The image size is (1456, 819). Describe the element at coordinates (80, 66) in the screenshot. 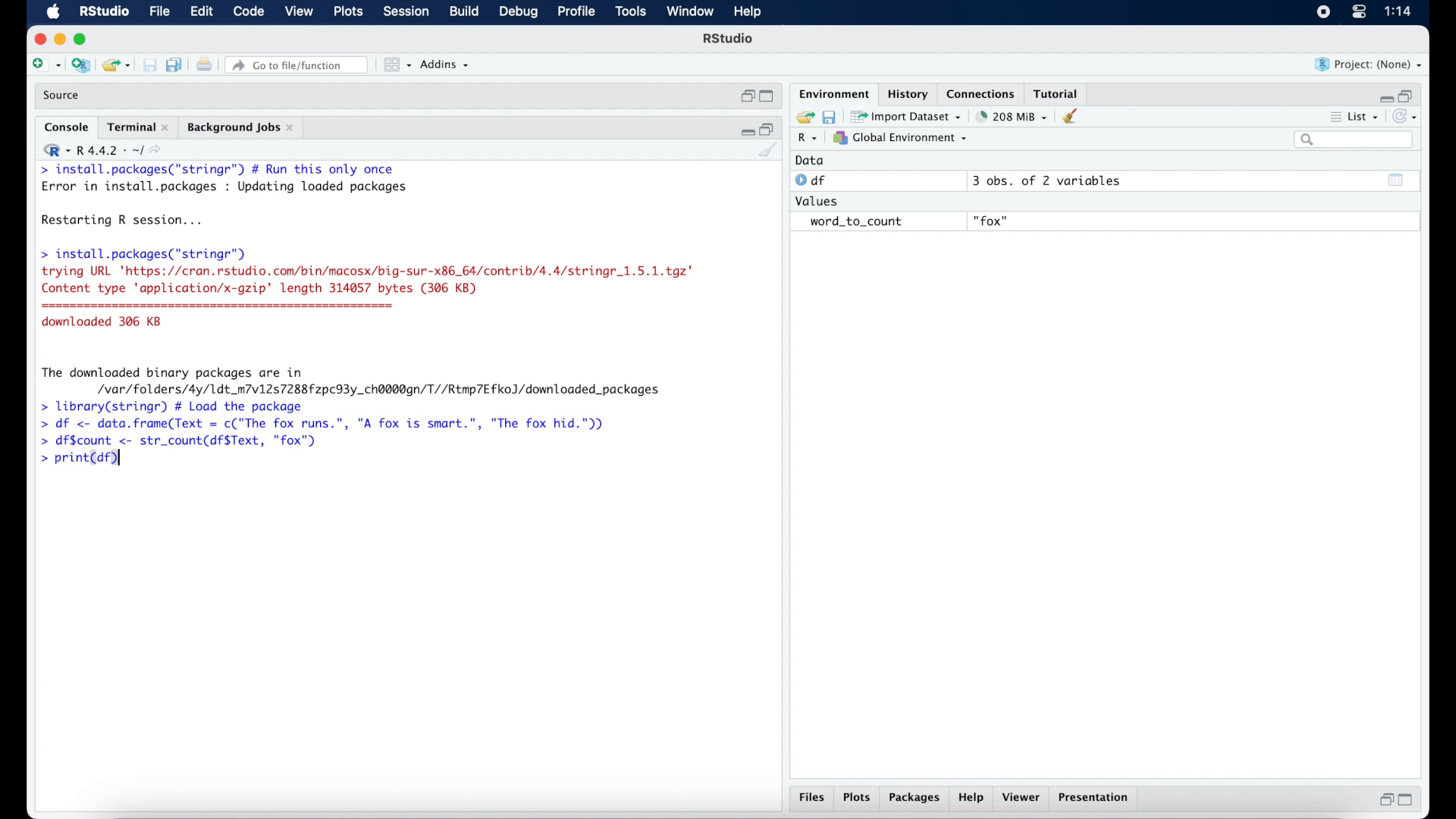

I see `create new project` at that location.